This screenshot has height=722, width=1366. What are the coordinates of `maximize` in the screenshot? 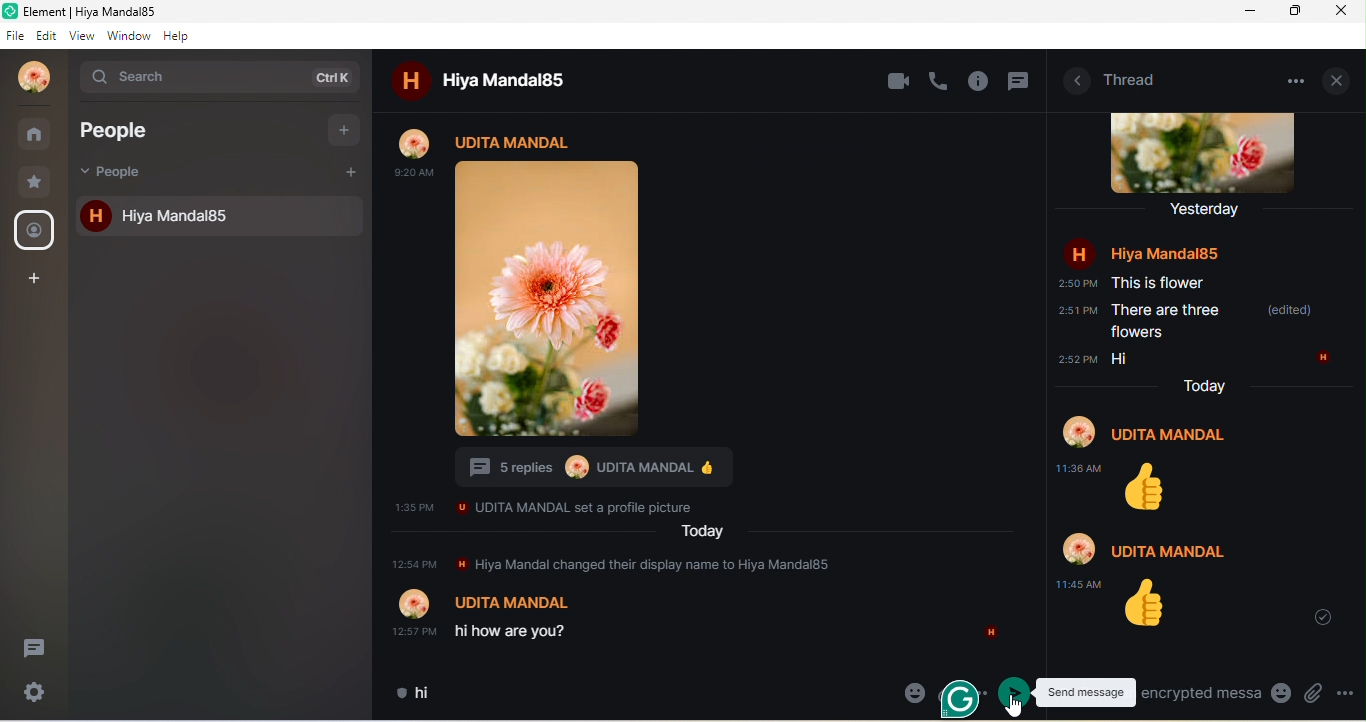 It's located at (1290, 11).